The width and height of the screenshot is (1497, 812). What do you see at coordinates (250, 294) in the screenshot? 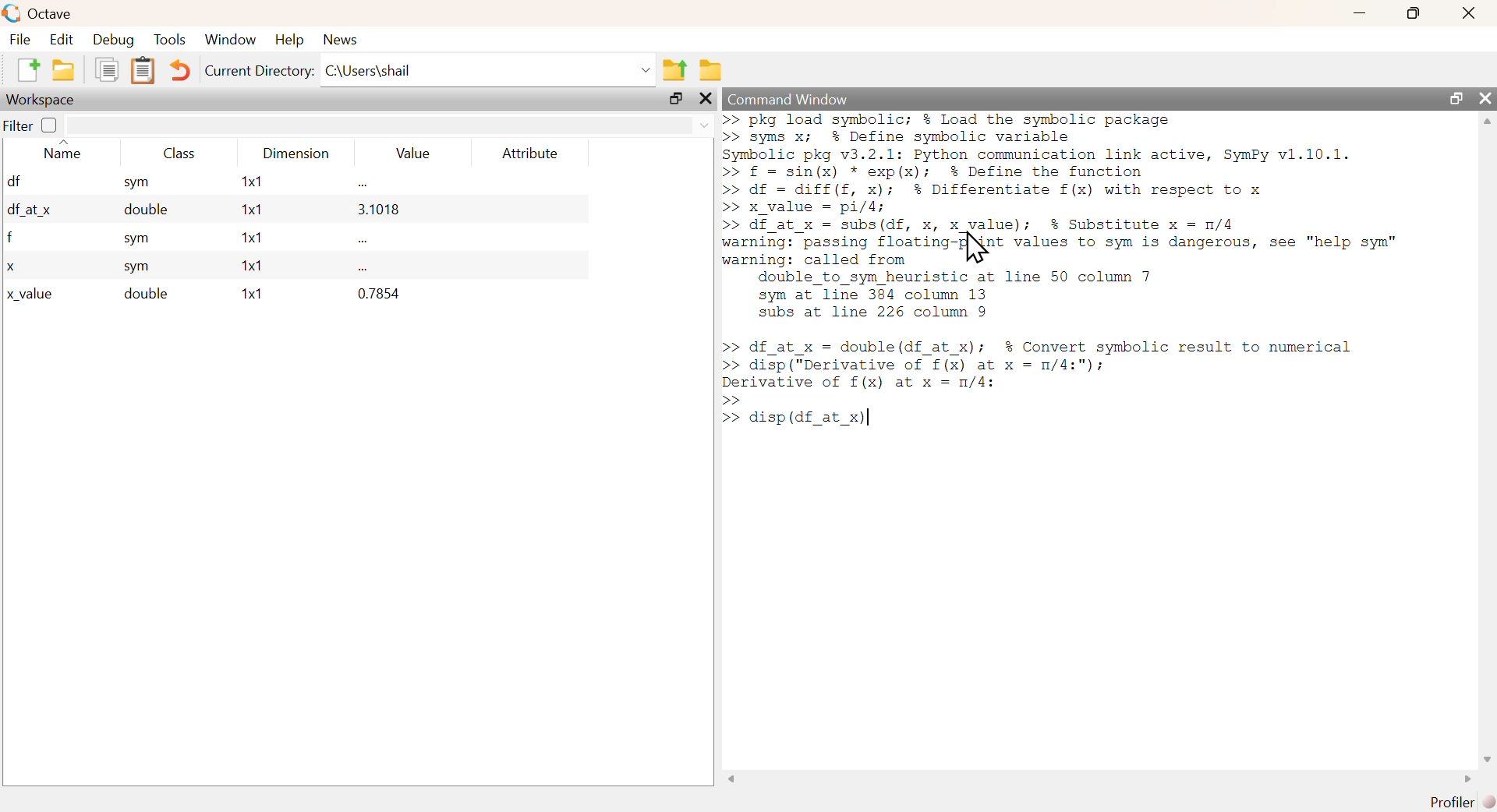
I see `1x1` at bounding box center [250, 294].